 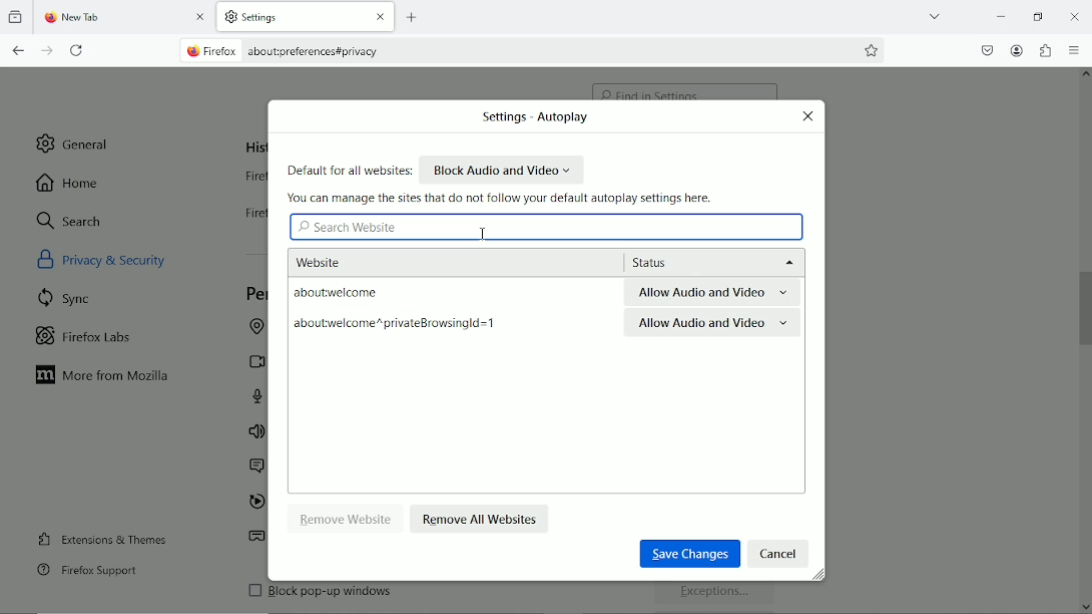 I want to click on firefox logo, so click(x=191, y=52).